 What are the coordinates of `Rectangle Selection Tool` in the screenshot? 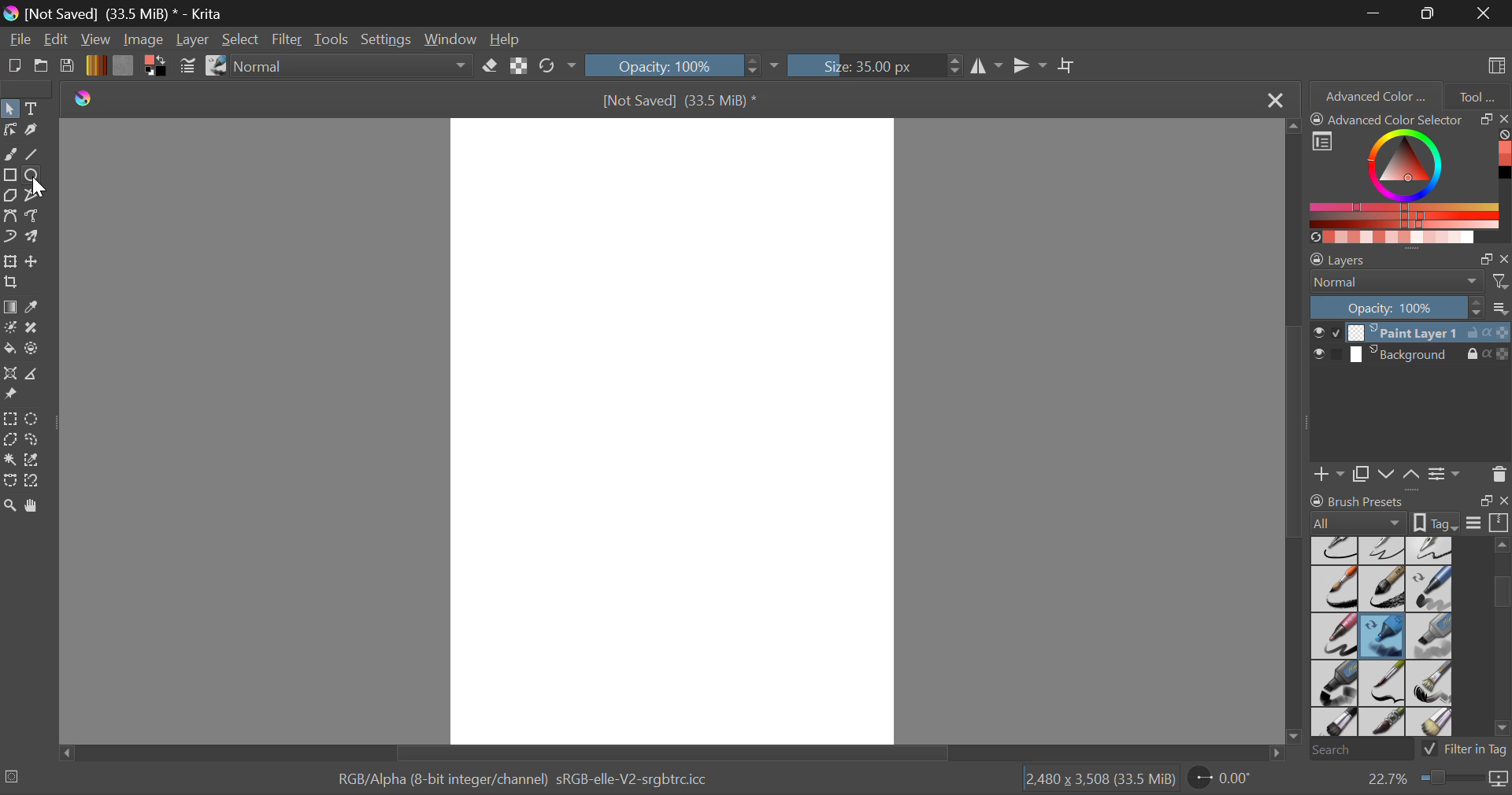 It's located at (9, 418).